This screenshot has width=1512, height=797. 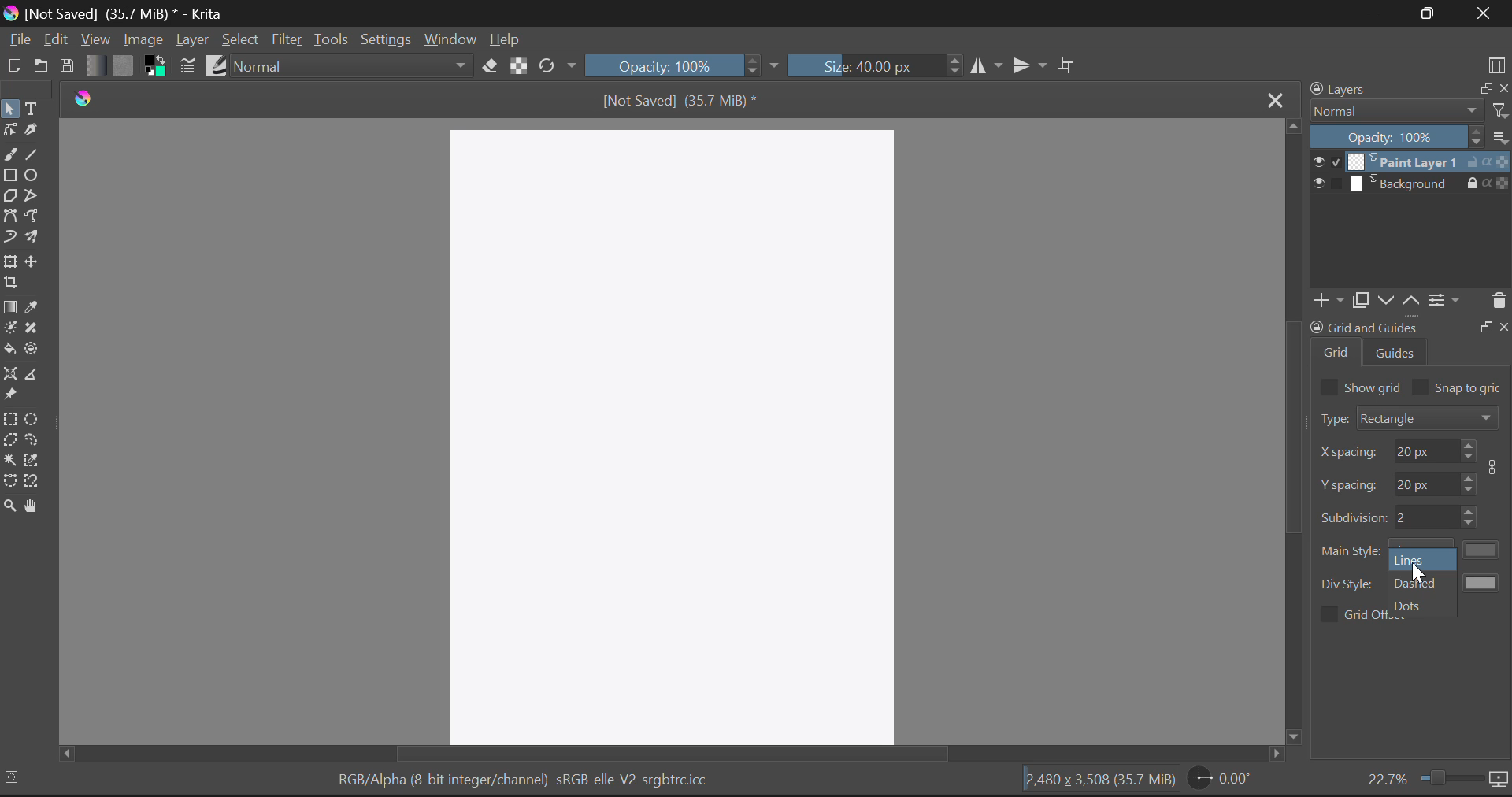 What do you see at coordinates (1483, 550) in the screenshot?
I see `color` at bounding box center [1483, 550].